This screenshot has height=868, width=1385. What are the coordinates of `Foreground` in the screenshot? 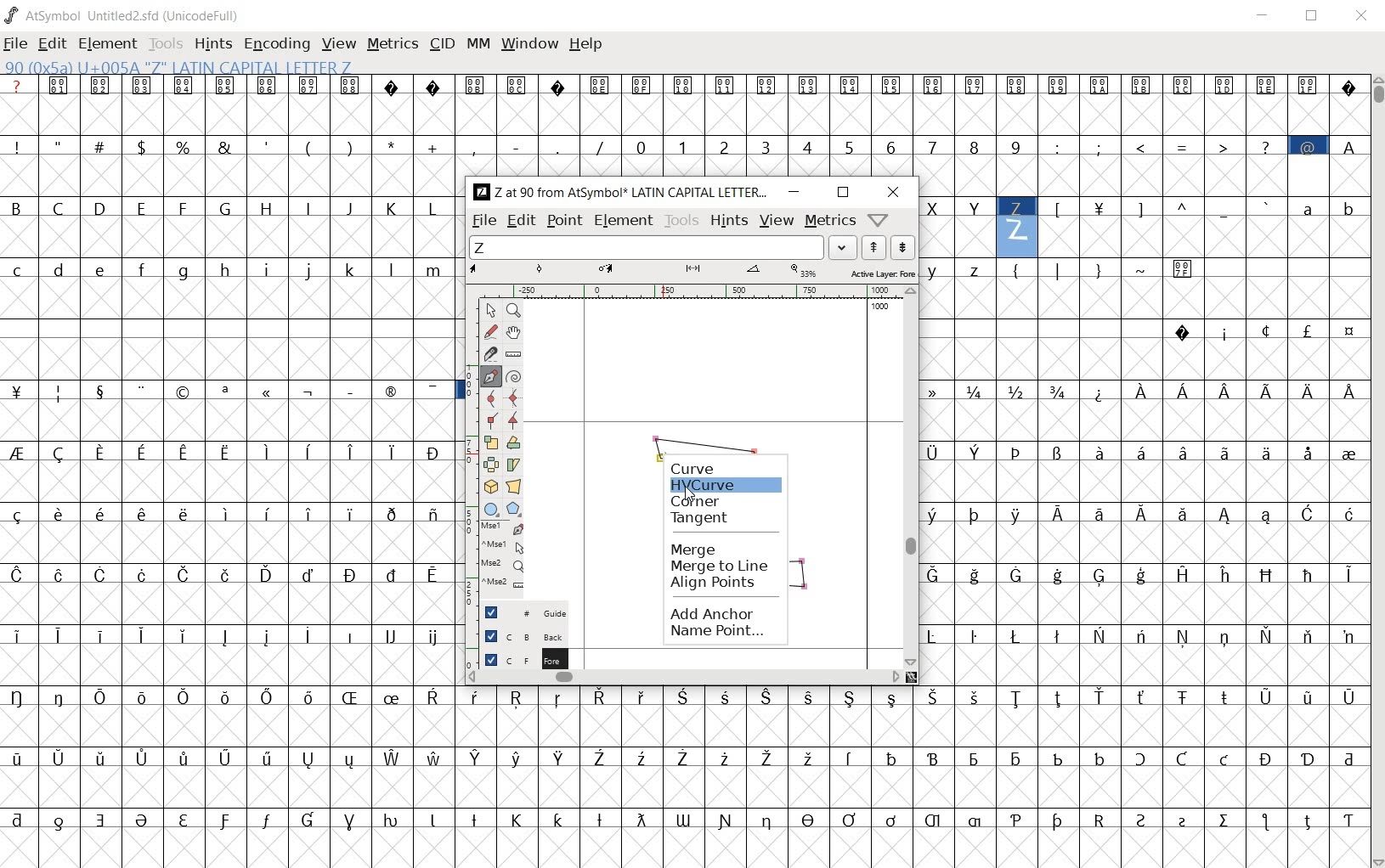 It's located at (518, 658).